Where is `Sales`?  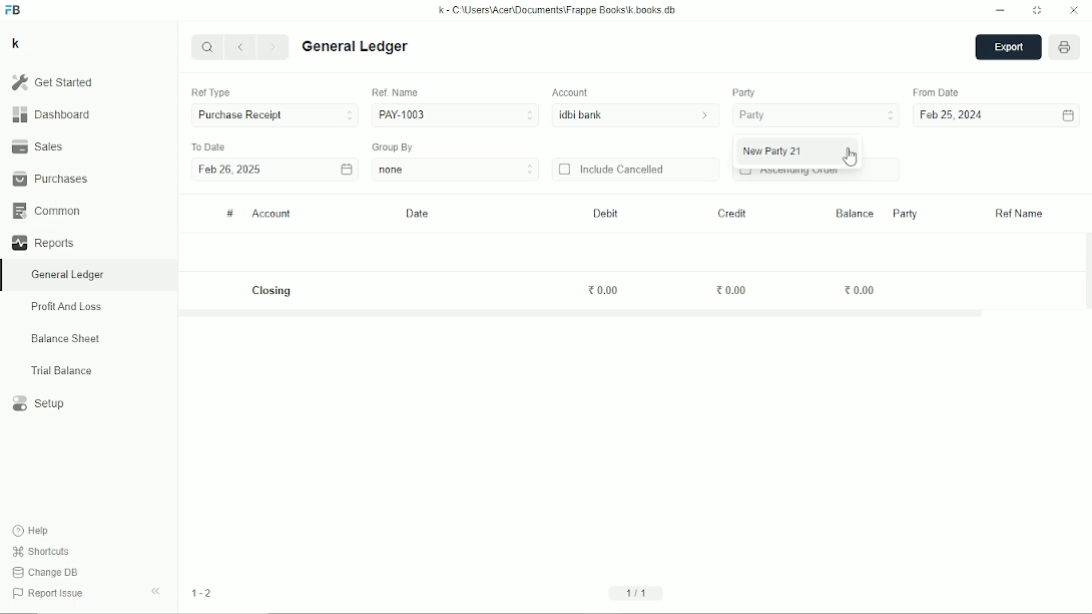 Sales is located at coordinates (37, 145).